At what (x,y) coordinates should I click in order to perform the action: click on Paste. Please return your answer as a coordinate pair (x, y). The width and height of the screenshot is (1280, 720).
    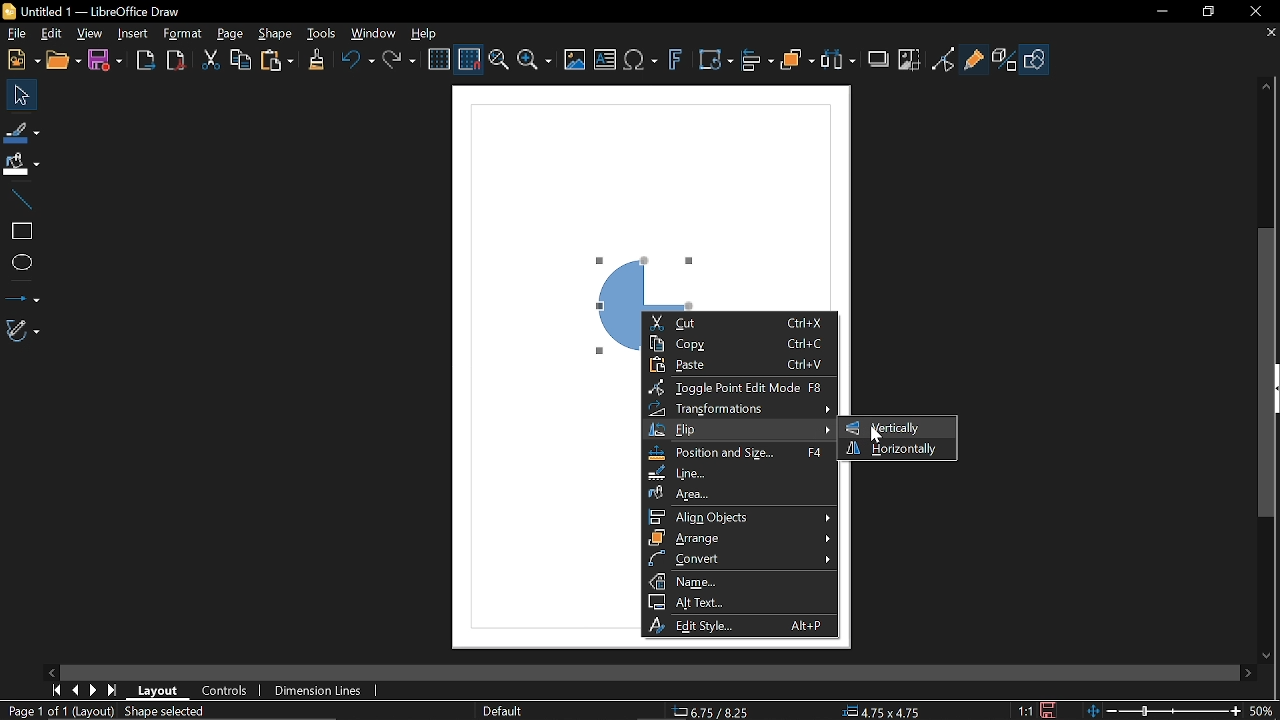
    Looking at the image, I should click on (277, 61).